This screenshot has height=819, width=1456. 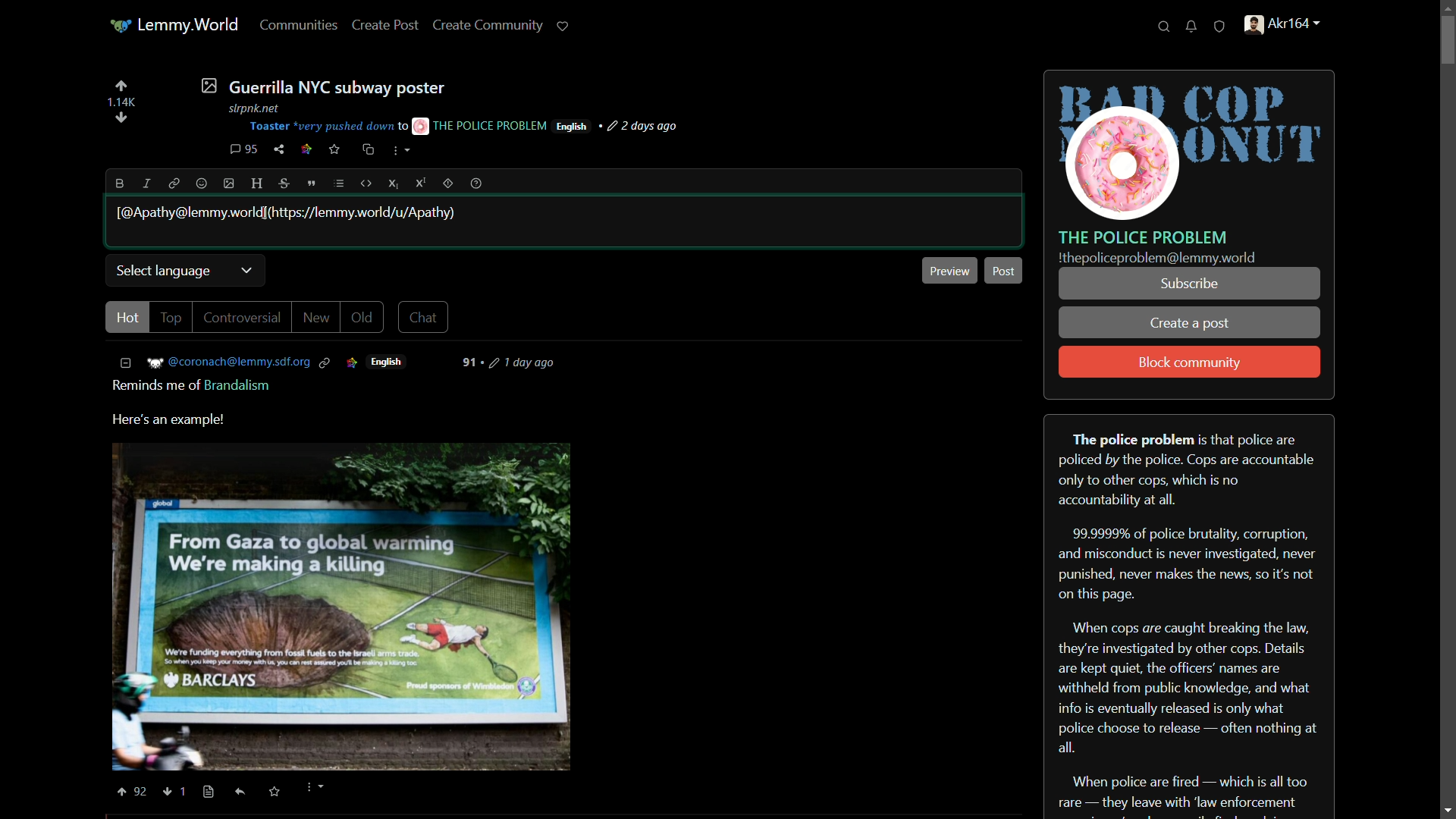 I want to click on , so click(x=168, y=792).